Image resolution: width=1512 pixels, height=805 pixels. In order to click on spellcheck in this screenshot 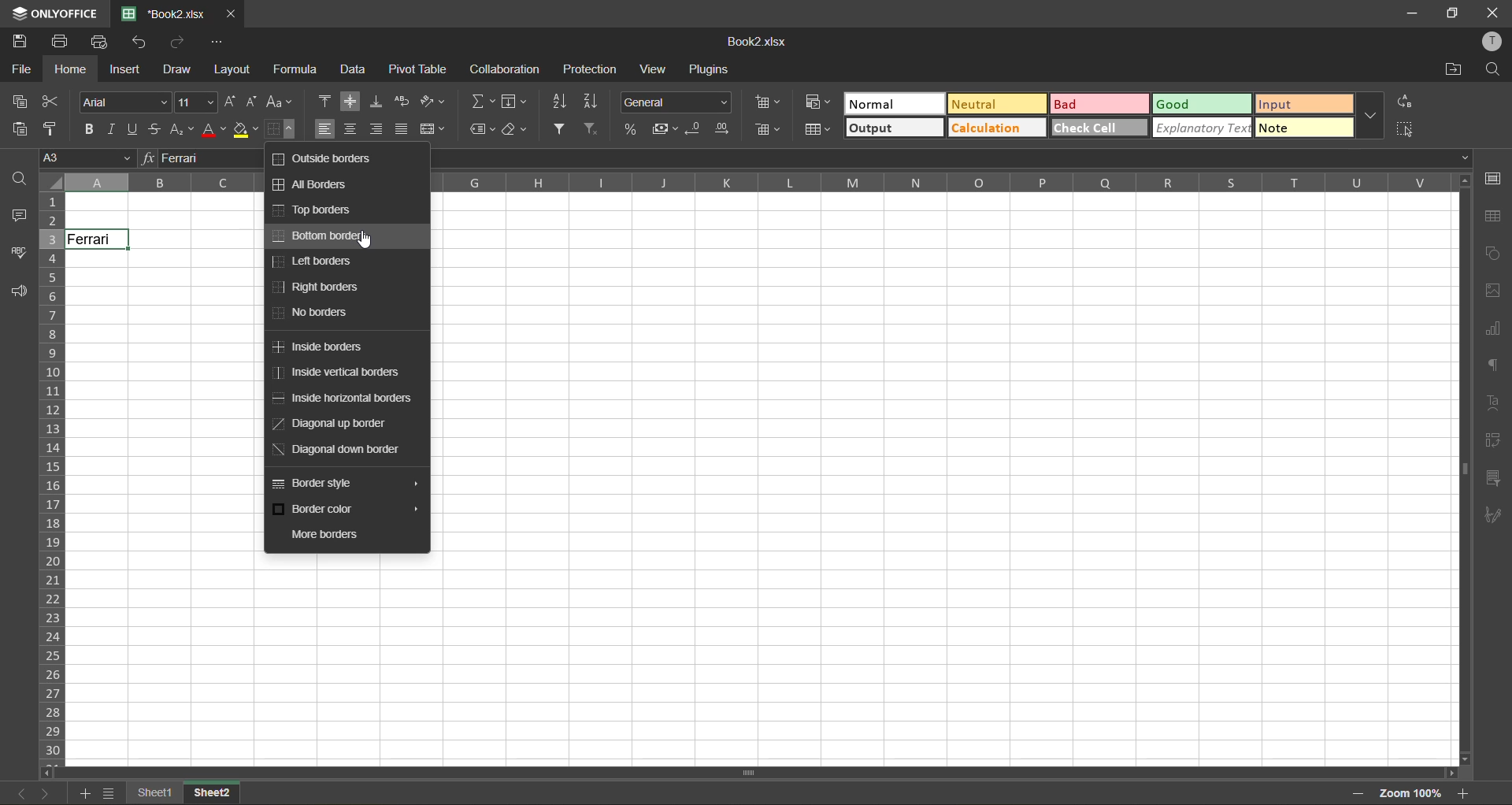, I will do `click(19, 253)`.